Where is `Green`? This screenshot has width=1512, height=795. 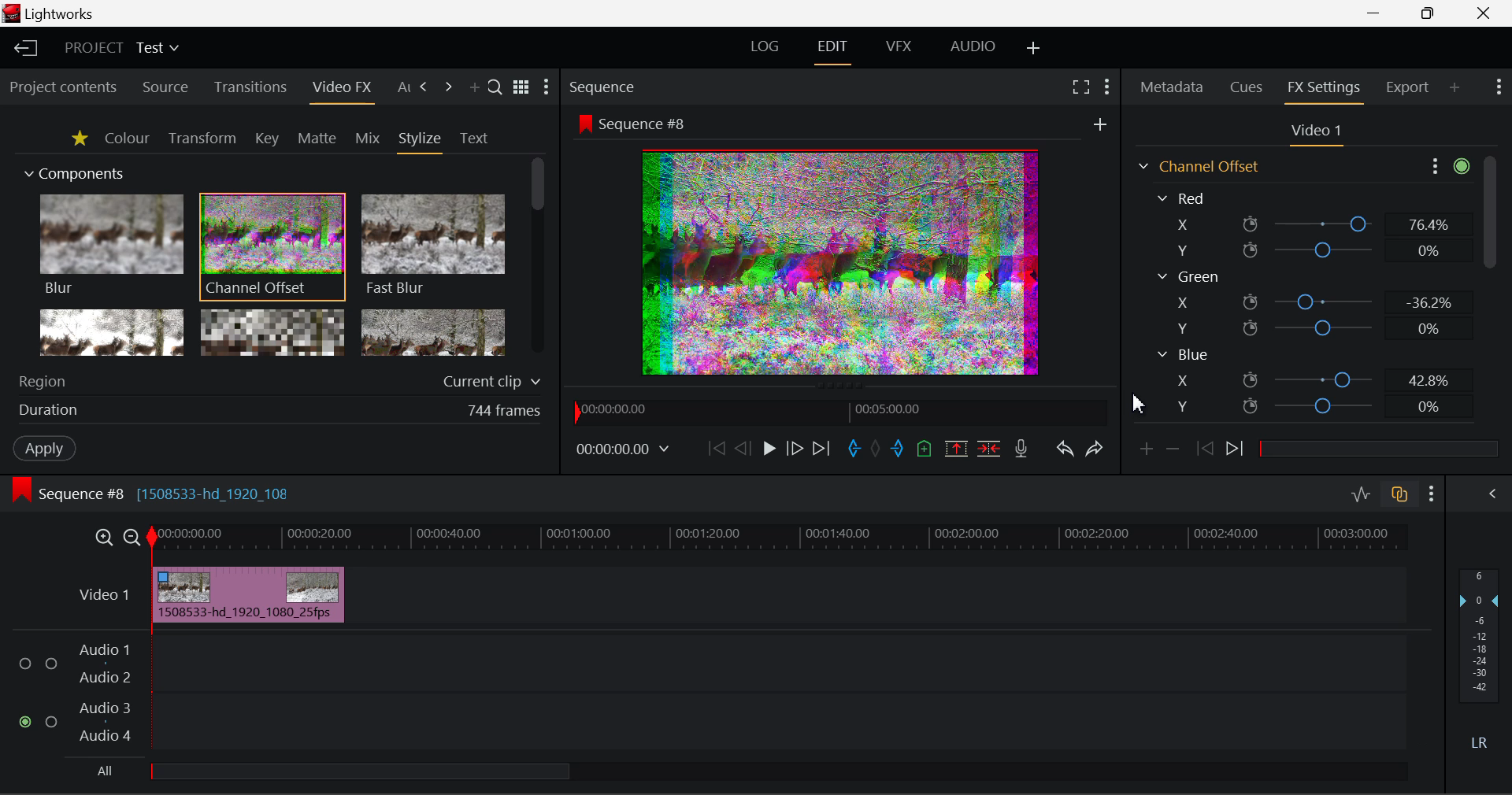
Green is located at coordinates (1188, 276).